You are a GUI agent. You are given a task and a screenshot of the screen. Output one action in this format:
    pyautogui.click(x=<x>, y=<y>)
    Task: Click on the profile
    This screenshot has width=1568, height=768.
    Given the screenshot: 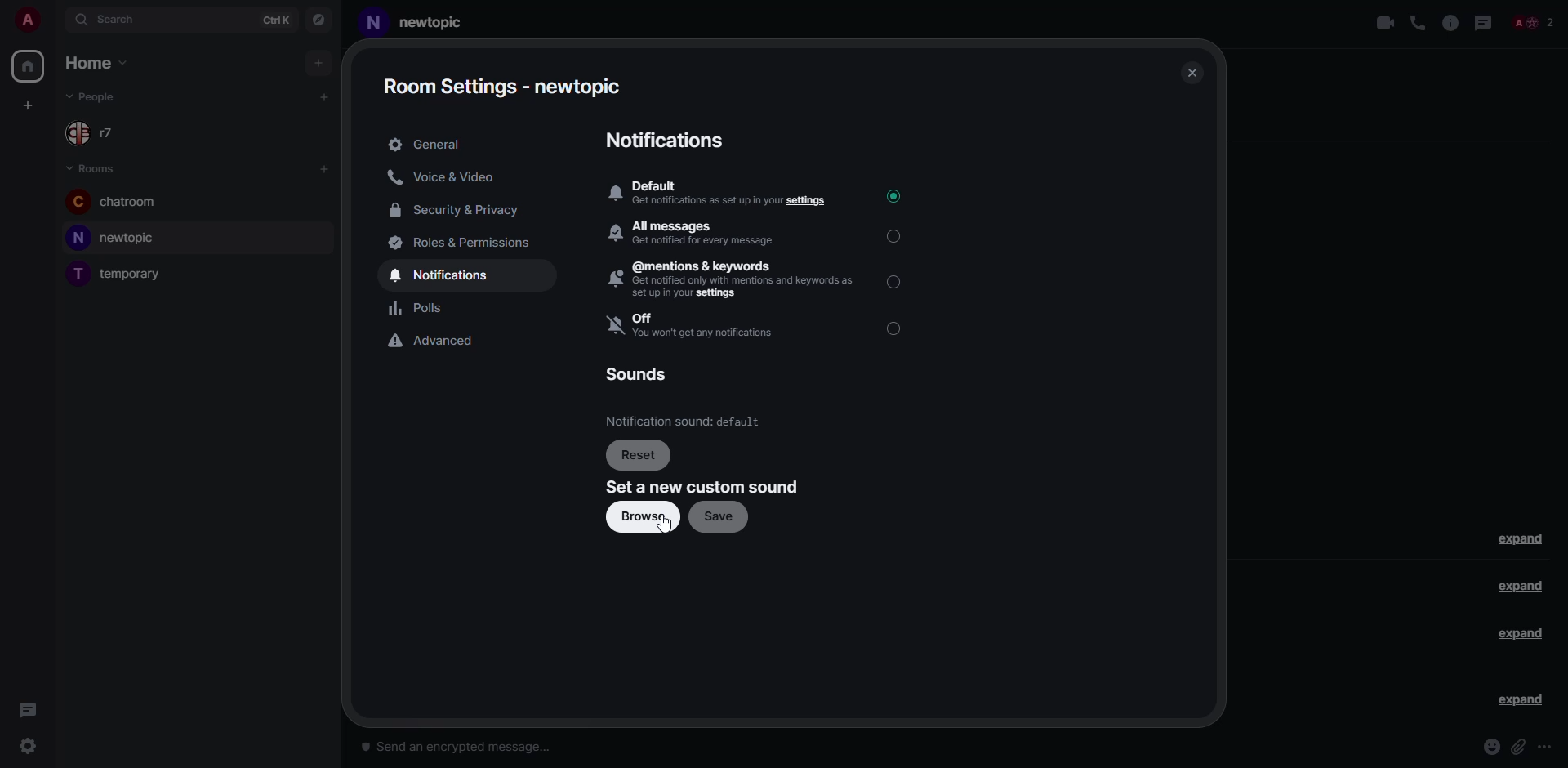 What is the action you would take?
    pyautogui.click(x=24, y=17)
    